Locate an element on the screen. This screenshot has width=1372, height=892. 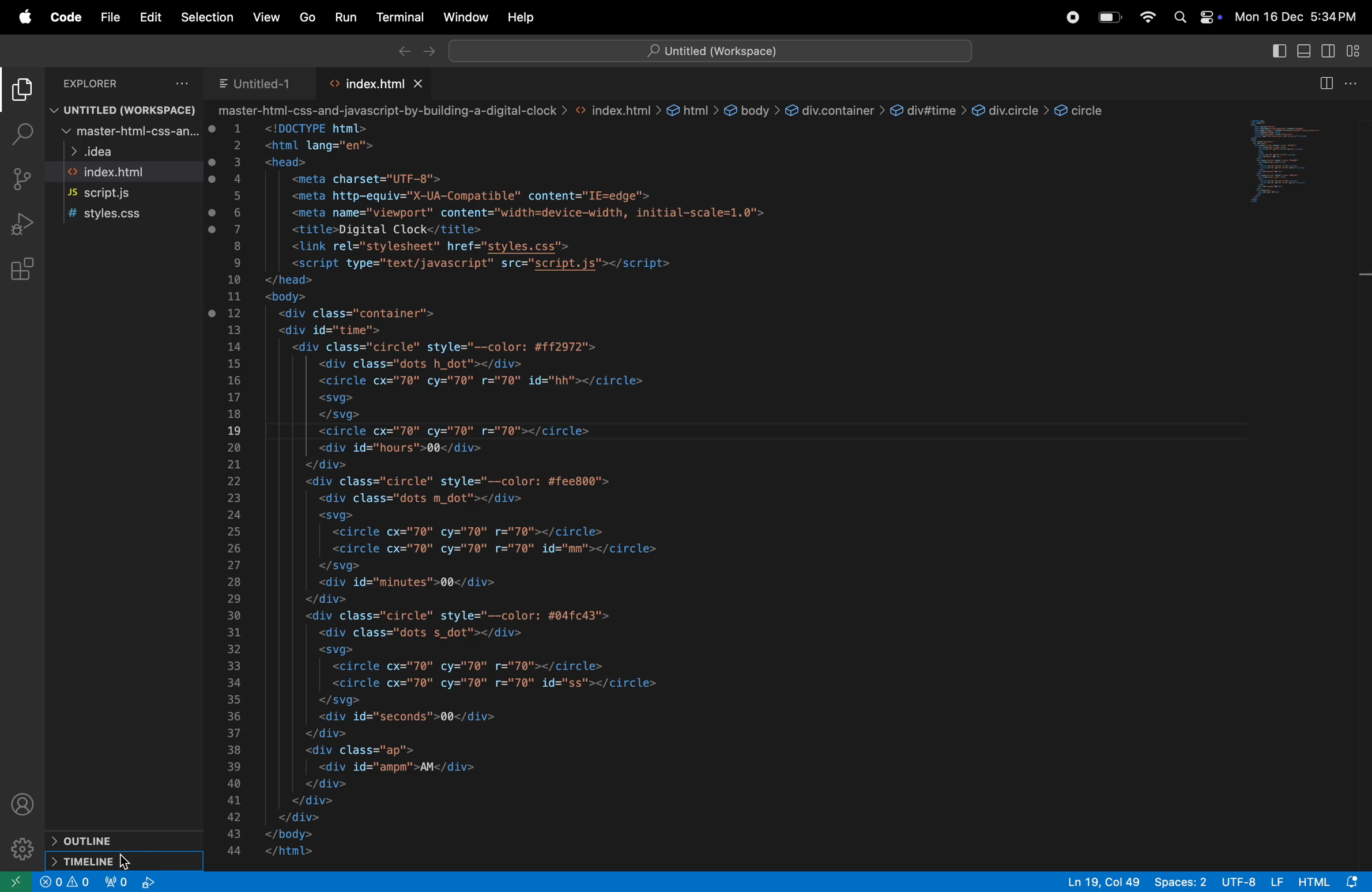
<svg> is located at coordinates (330, 516).